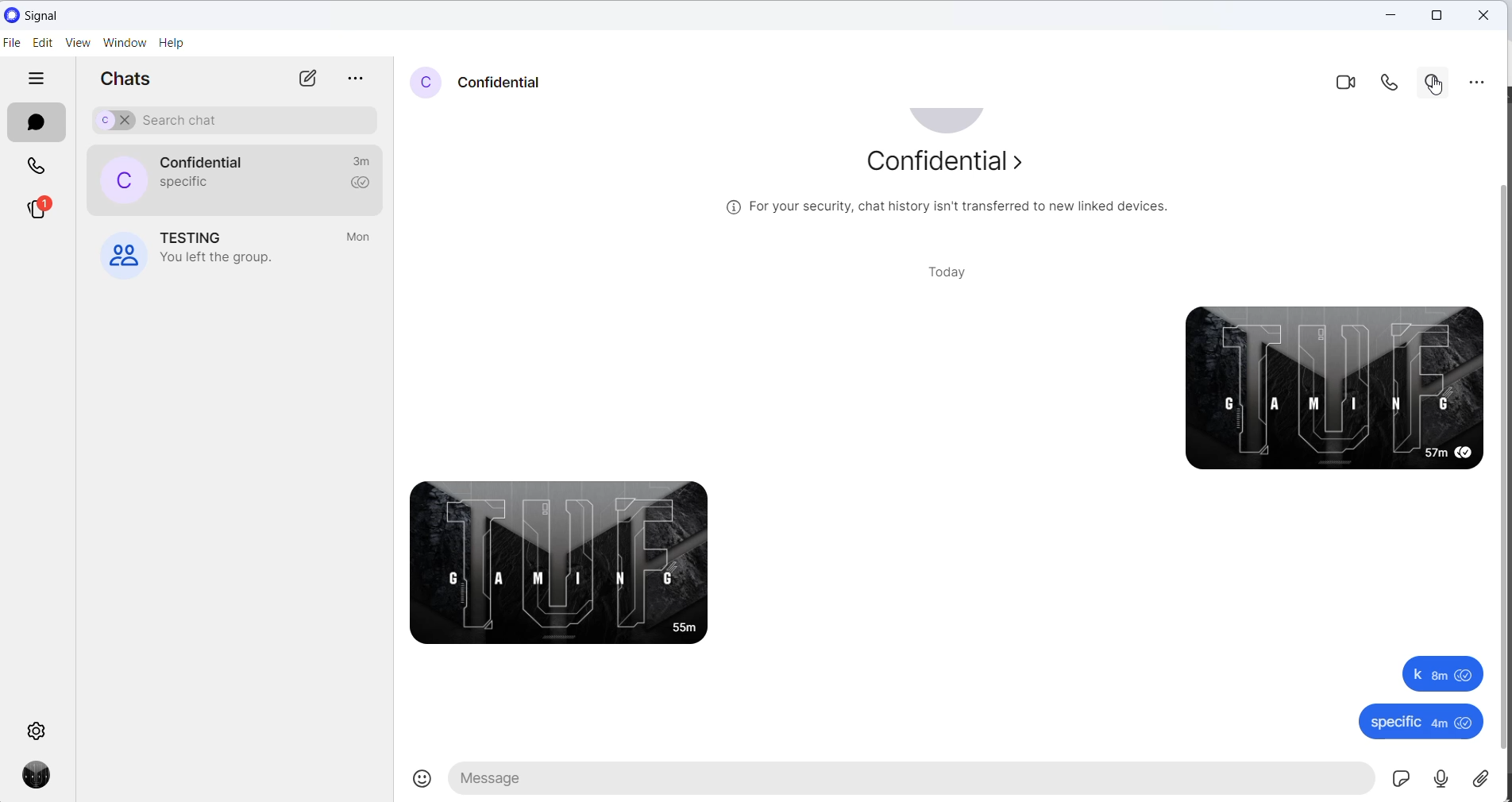 The image size is (1512, 802). What do you see at coordinates (1439, 91) in the screenshot?
I see `cursor` at bounding box center [1439, 91].